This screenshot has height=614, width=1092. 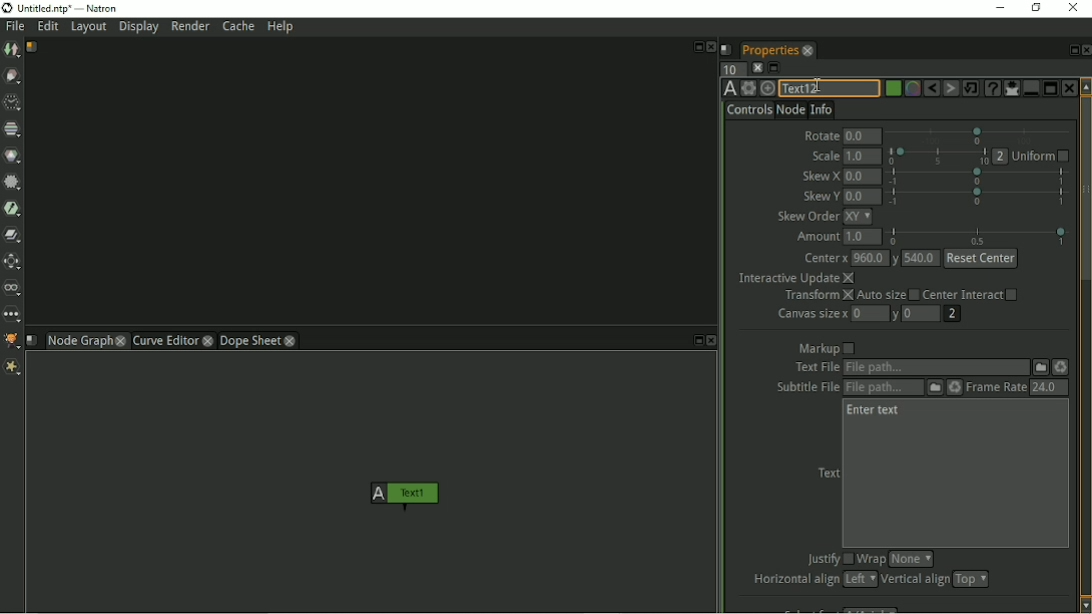 I want to click on Extra, so click(x=15, y=369).